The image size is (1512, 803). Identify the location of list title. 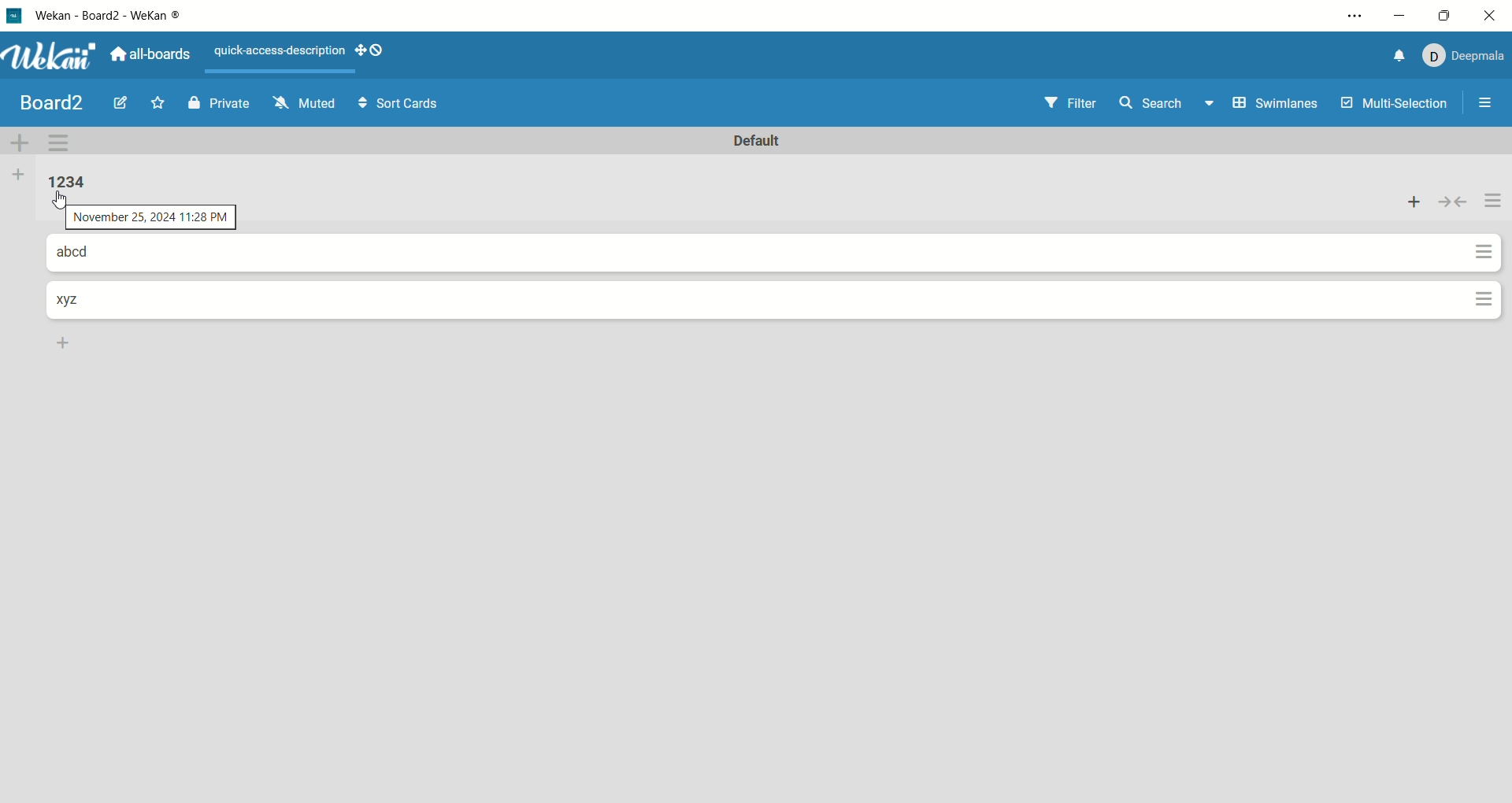
(87, 303).